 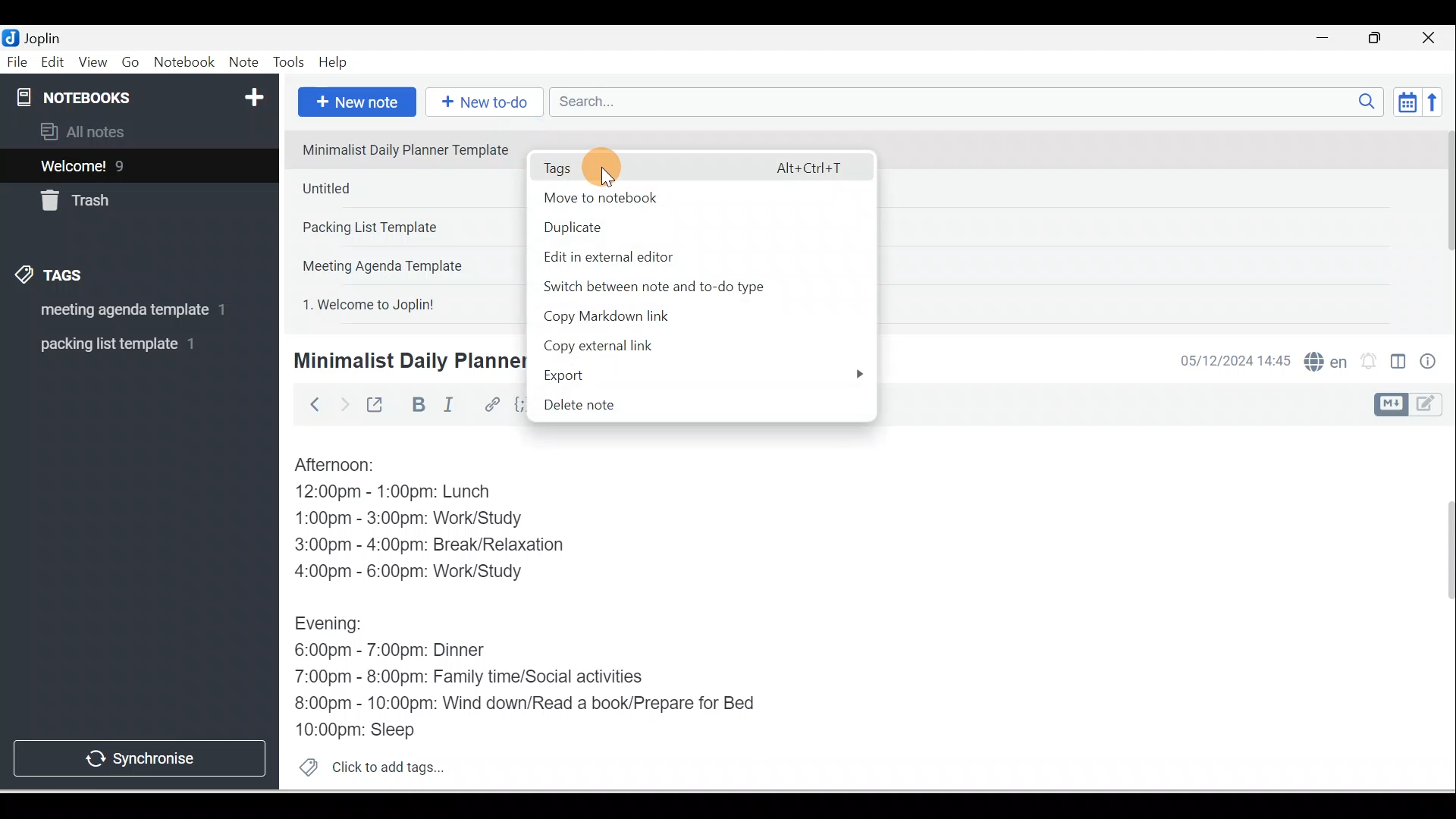 I want to click on Export, so click(x=698, y=375).